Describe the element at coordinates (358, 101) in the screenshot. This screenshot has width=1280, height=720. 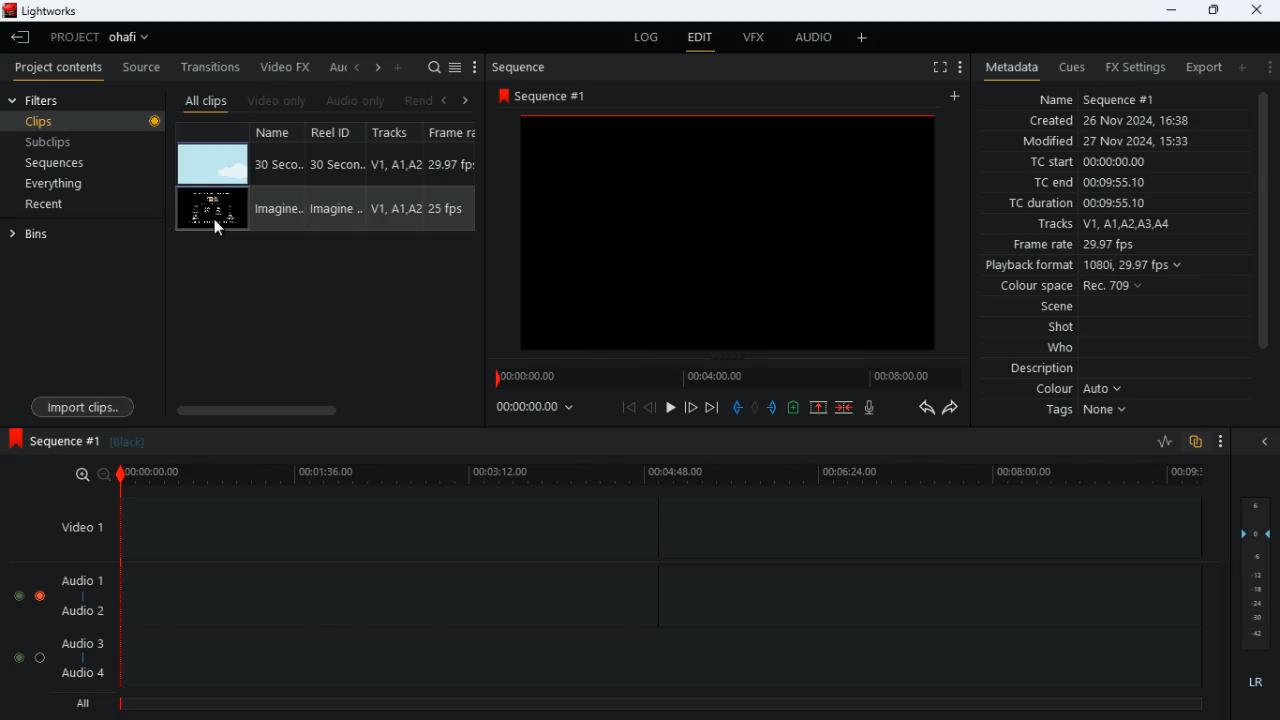
I see `audio only` at that location.